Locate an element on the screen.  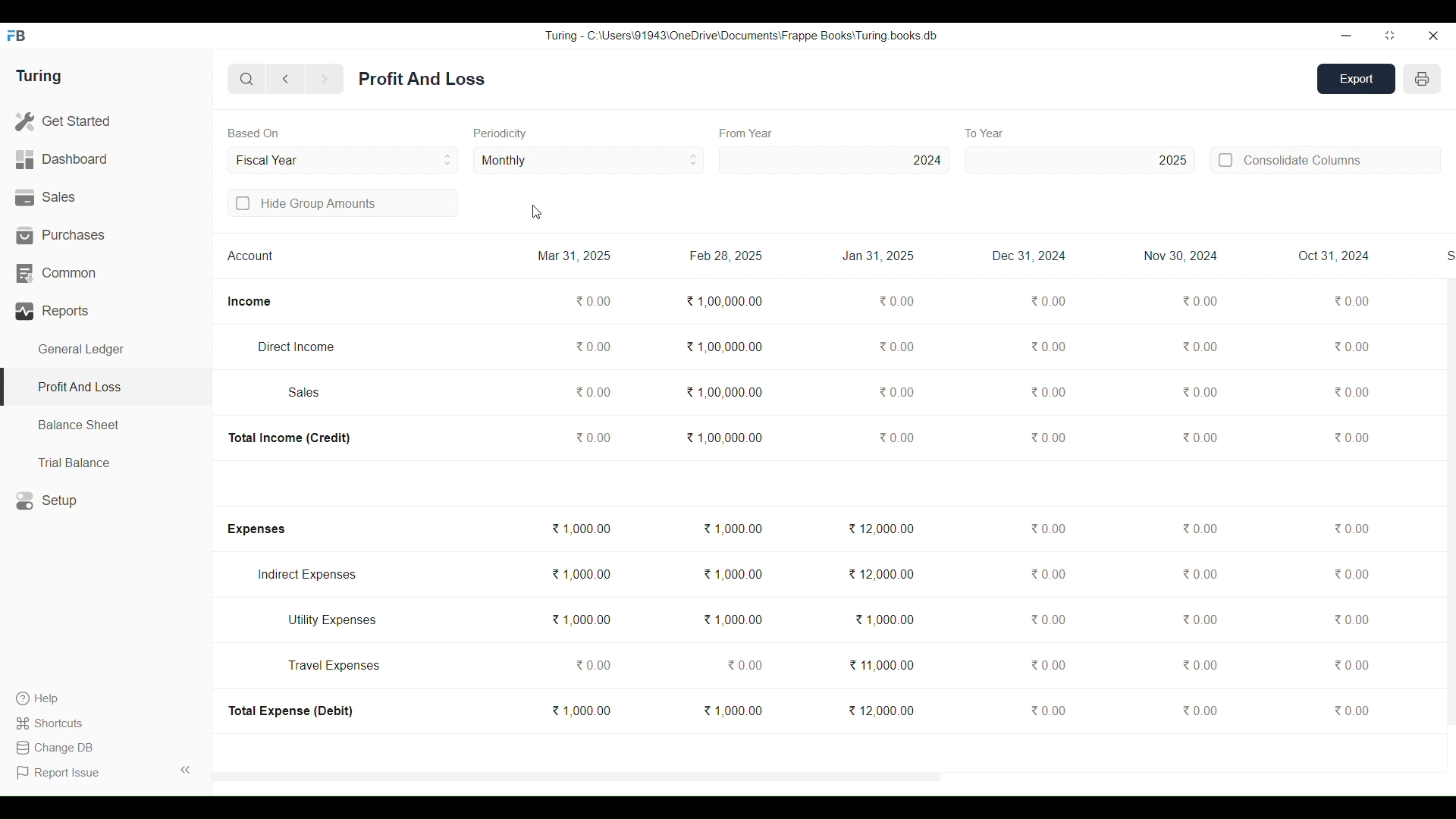
Turing is located at coordinates (38, 77).